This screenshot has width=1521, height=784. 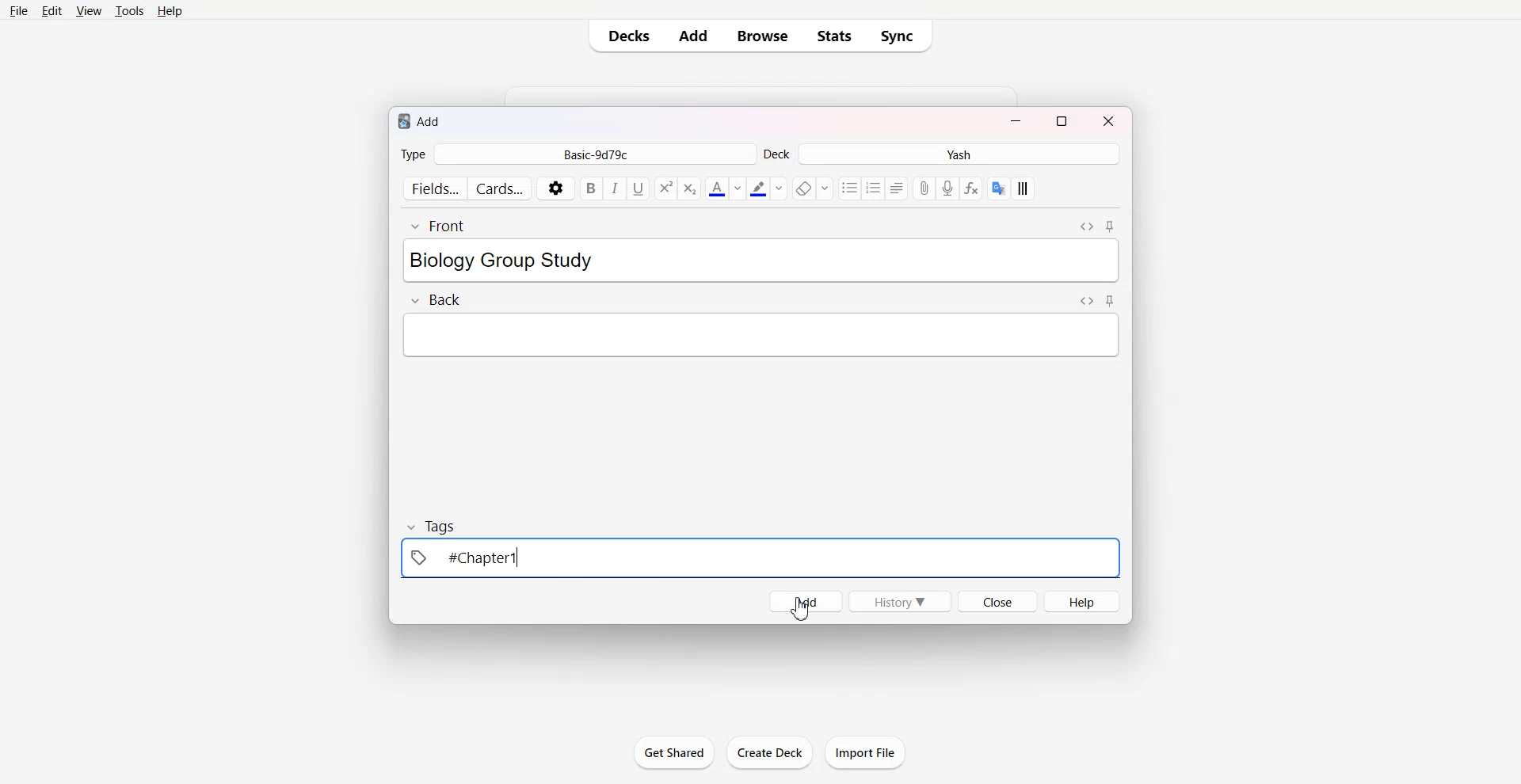 What do you see at coordinates (89, 12) in the screenshot?
I see `View` at bounding box center [89, 12].